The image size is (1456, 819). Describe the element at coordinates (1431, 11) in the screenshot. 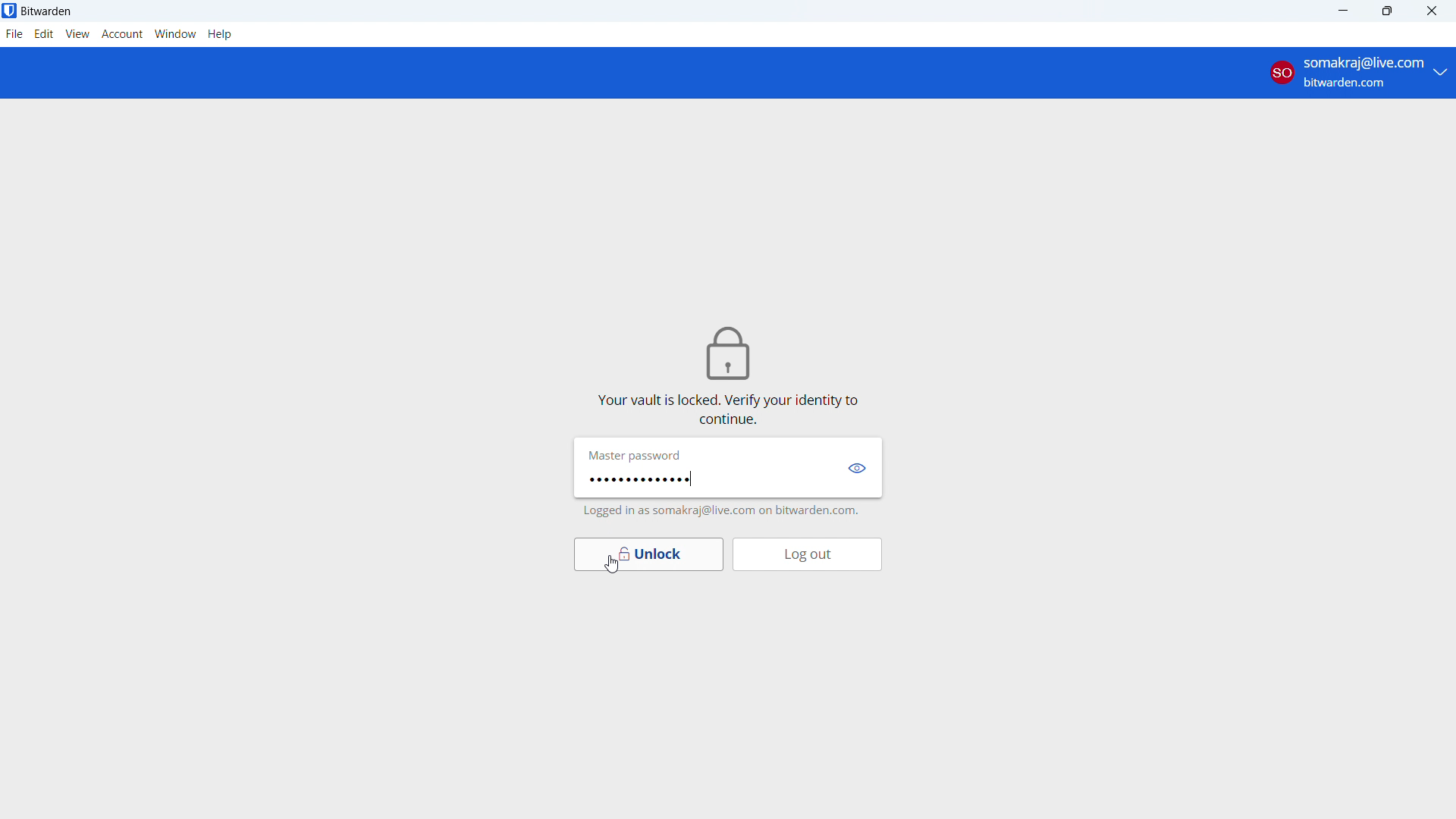

I see `close` at that location.